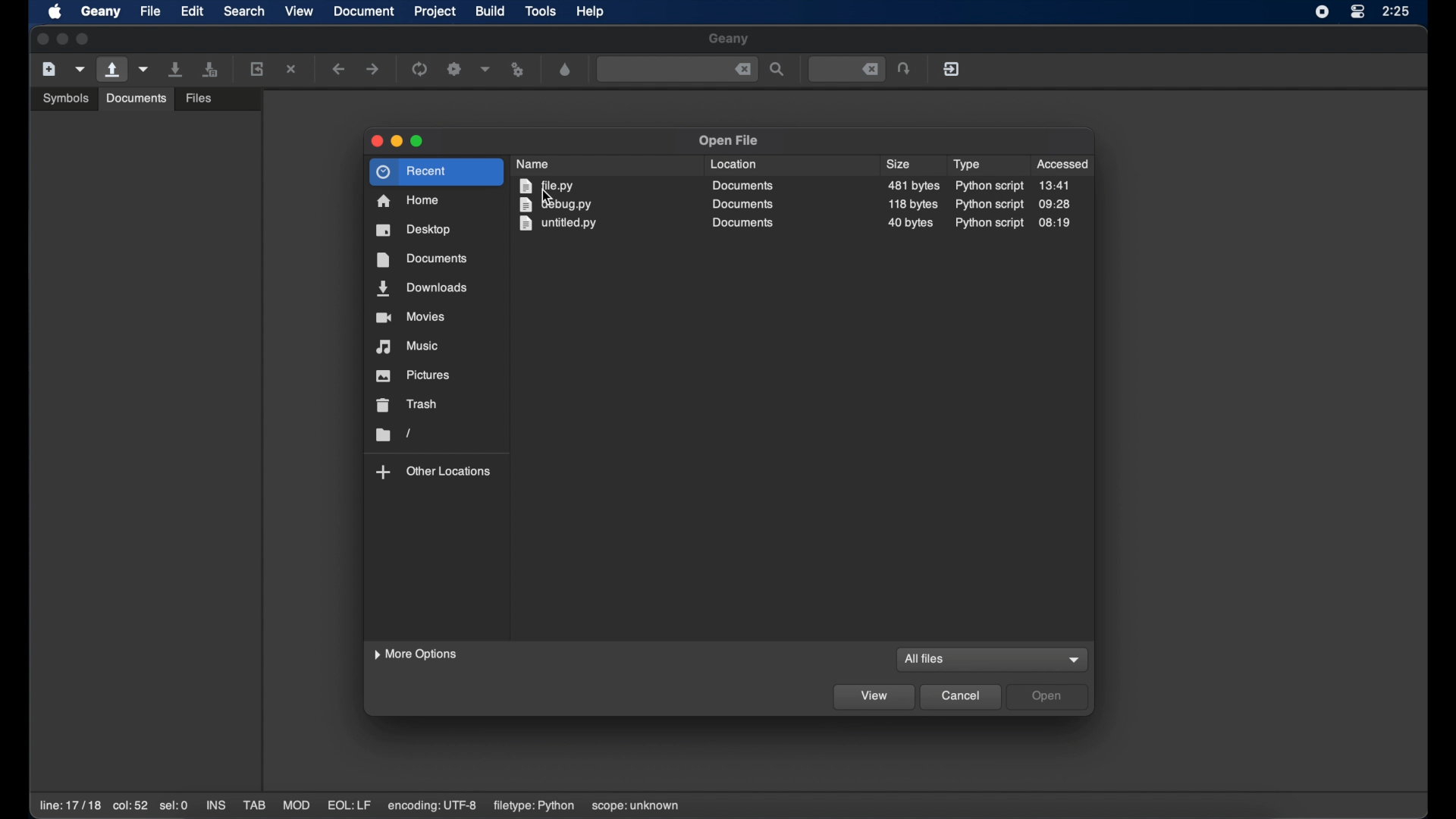 The image size is (1456, 819). Describe the element at coordinates (1055, 223) in the screenshot. I see `08:19` at that location.